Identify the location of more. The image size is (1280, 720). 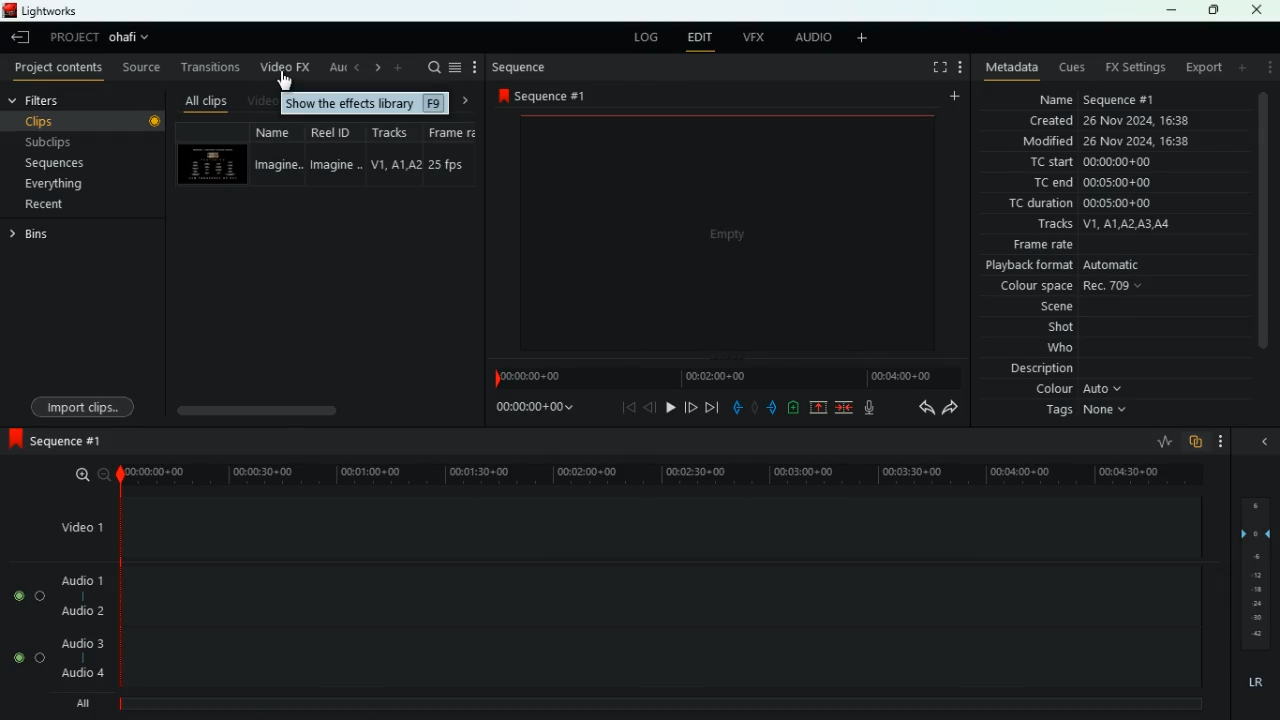
(863, 38).